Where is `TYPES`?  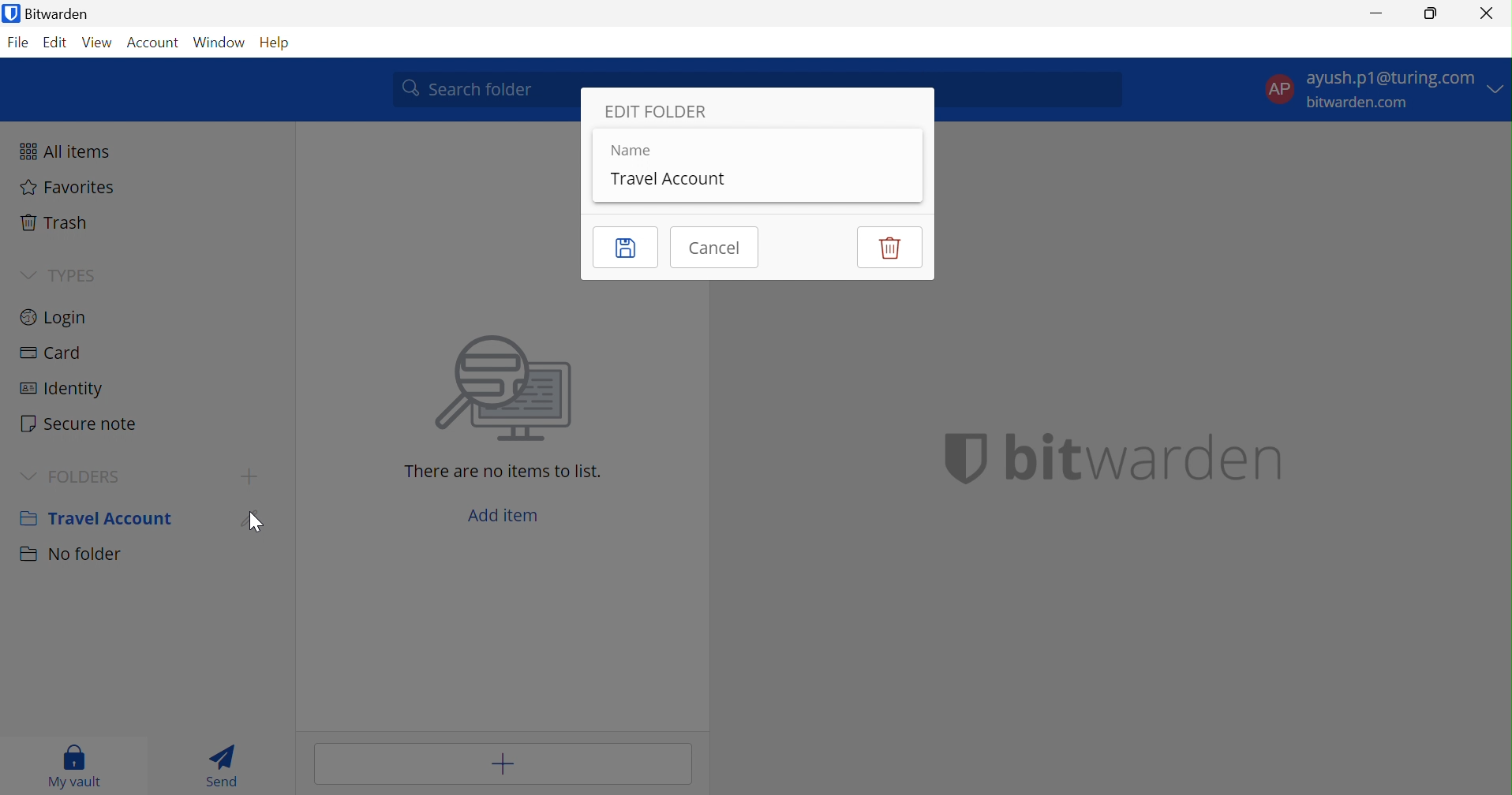
TYPES is located at coordinates (74, 274).